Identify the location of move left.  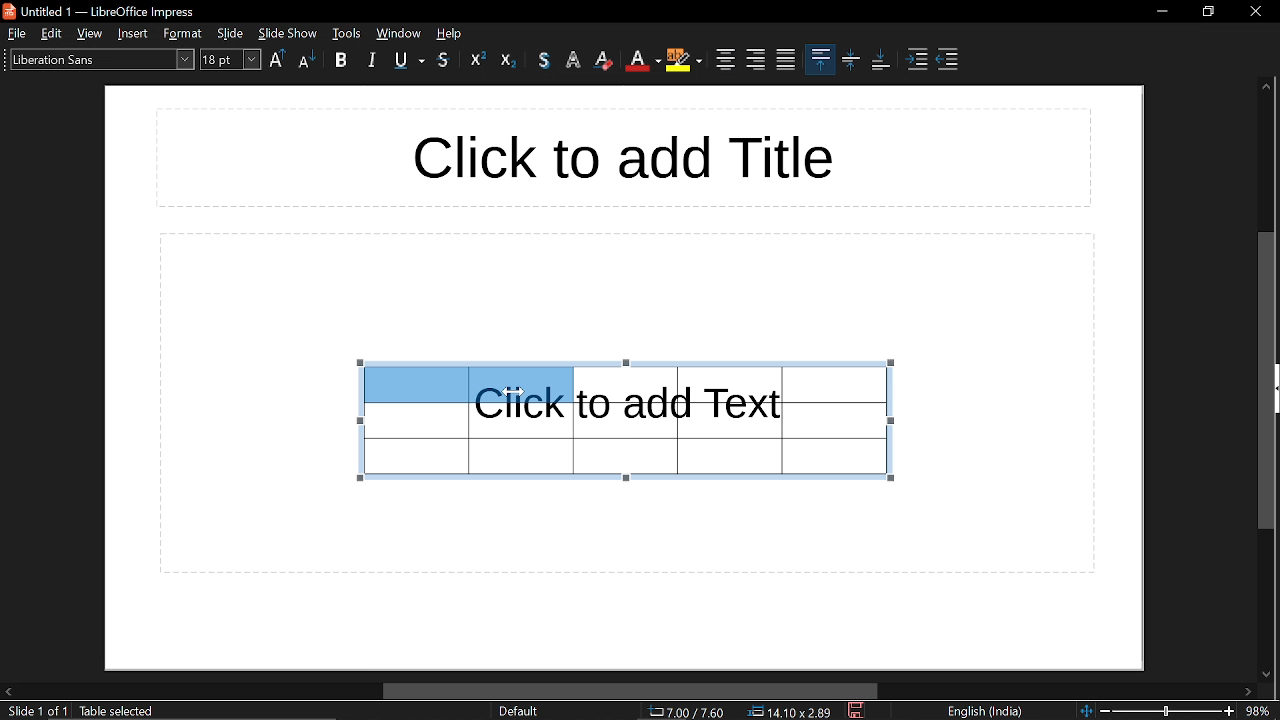
(8, 690).